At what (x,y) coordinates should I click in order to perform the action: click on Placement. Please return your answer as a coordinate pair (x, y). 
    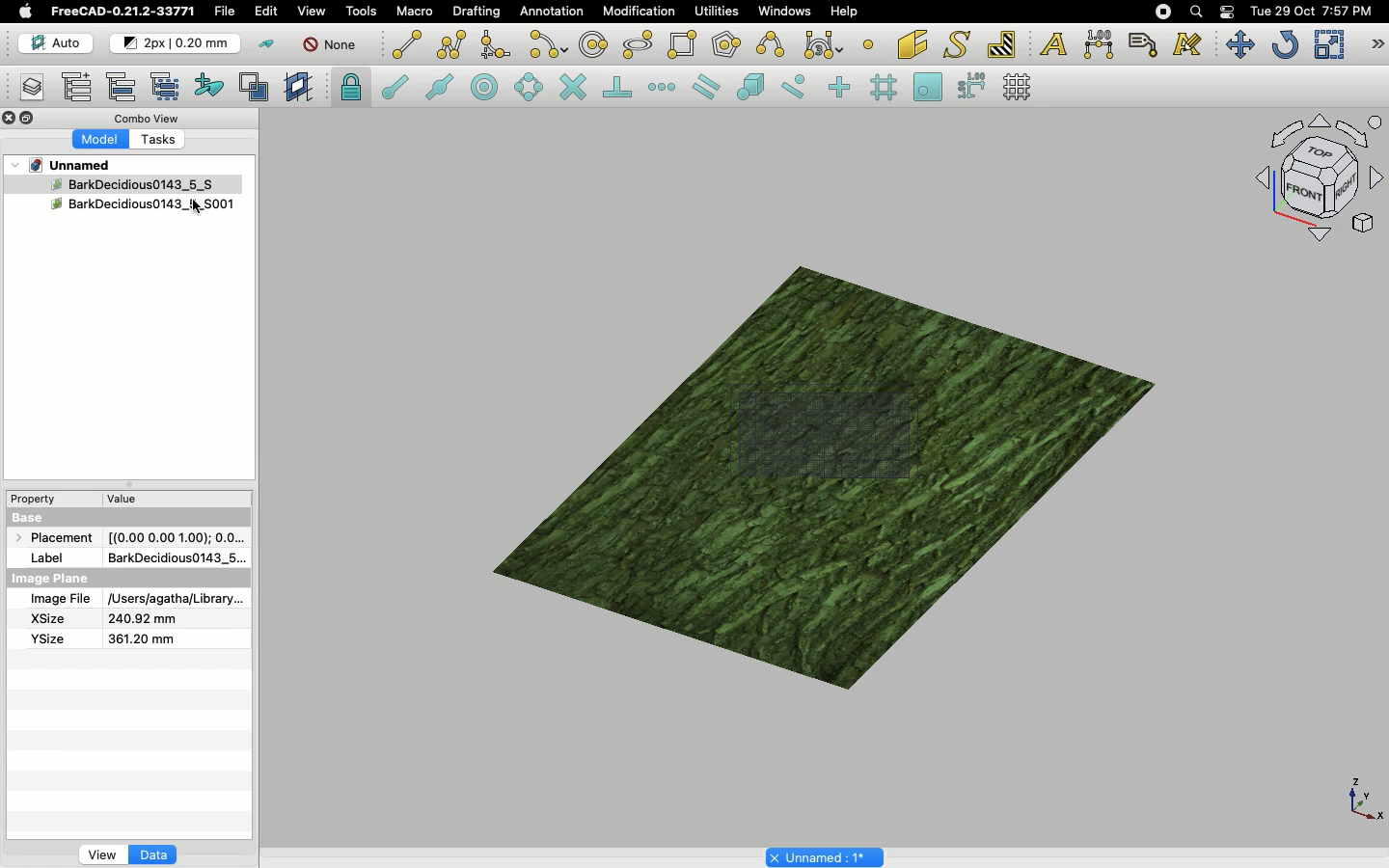
    Looking at the image, I should click on (58, 539).